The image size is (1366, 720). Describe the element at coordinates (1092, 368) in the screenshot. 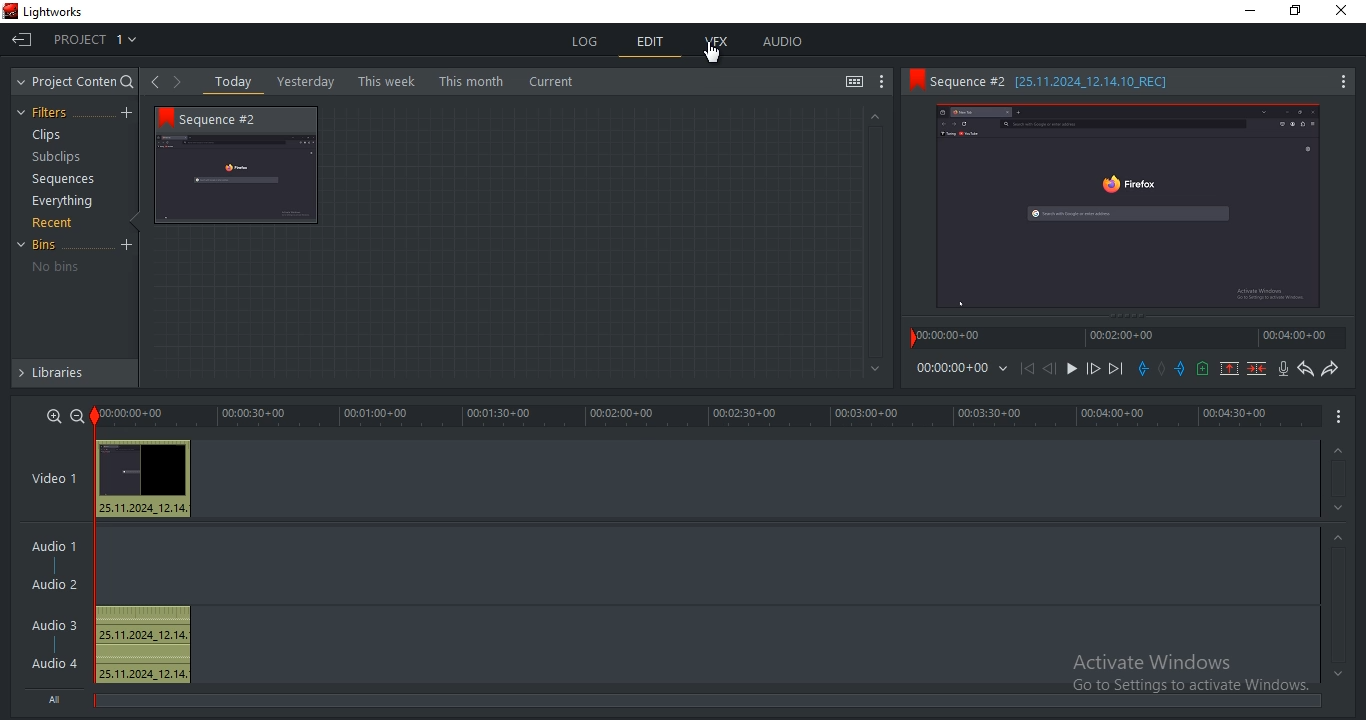

I see `nudge one frame forward` at that location.